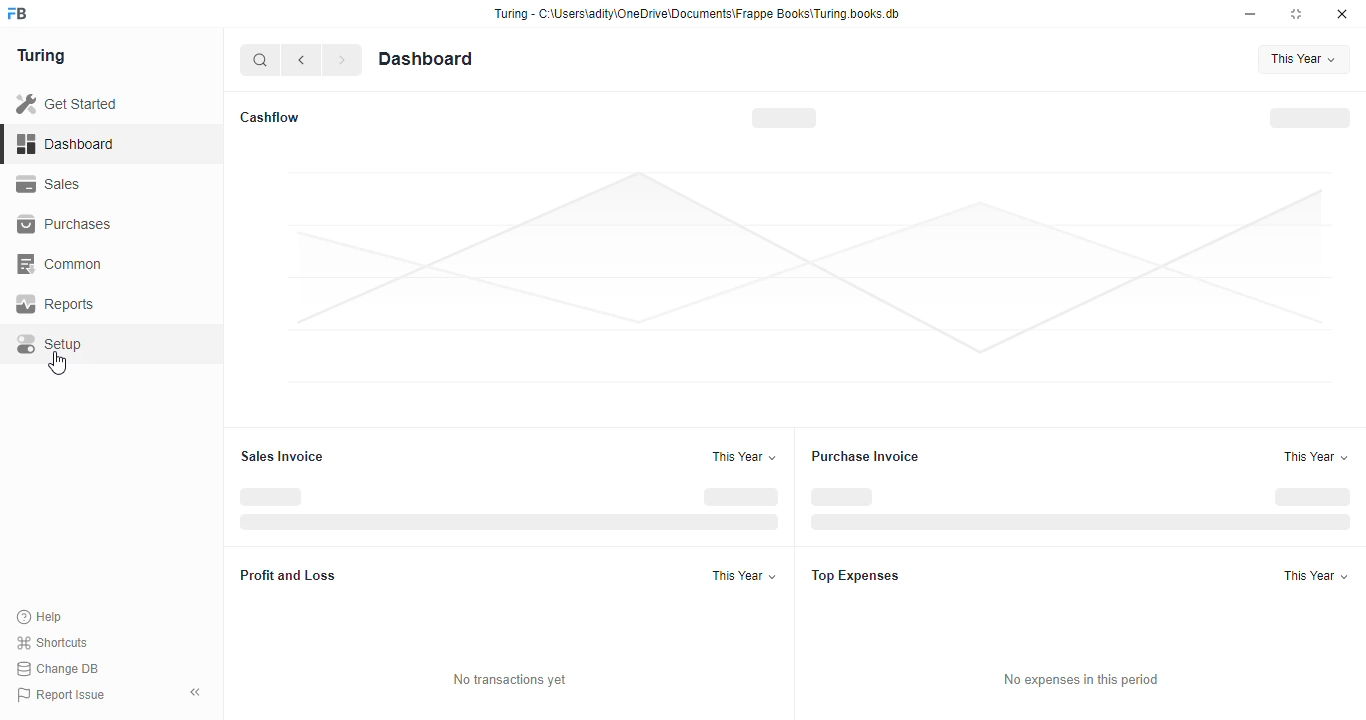 Image resolution: width=1366 pixels, height=720 pixels. Describe the element at coordinates (1299, 14) in the screenshot. I see `maximise` at that location.